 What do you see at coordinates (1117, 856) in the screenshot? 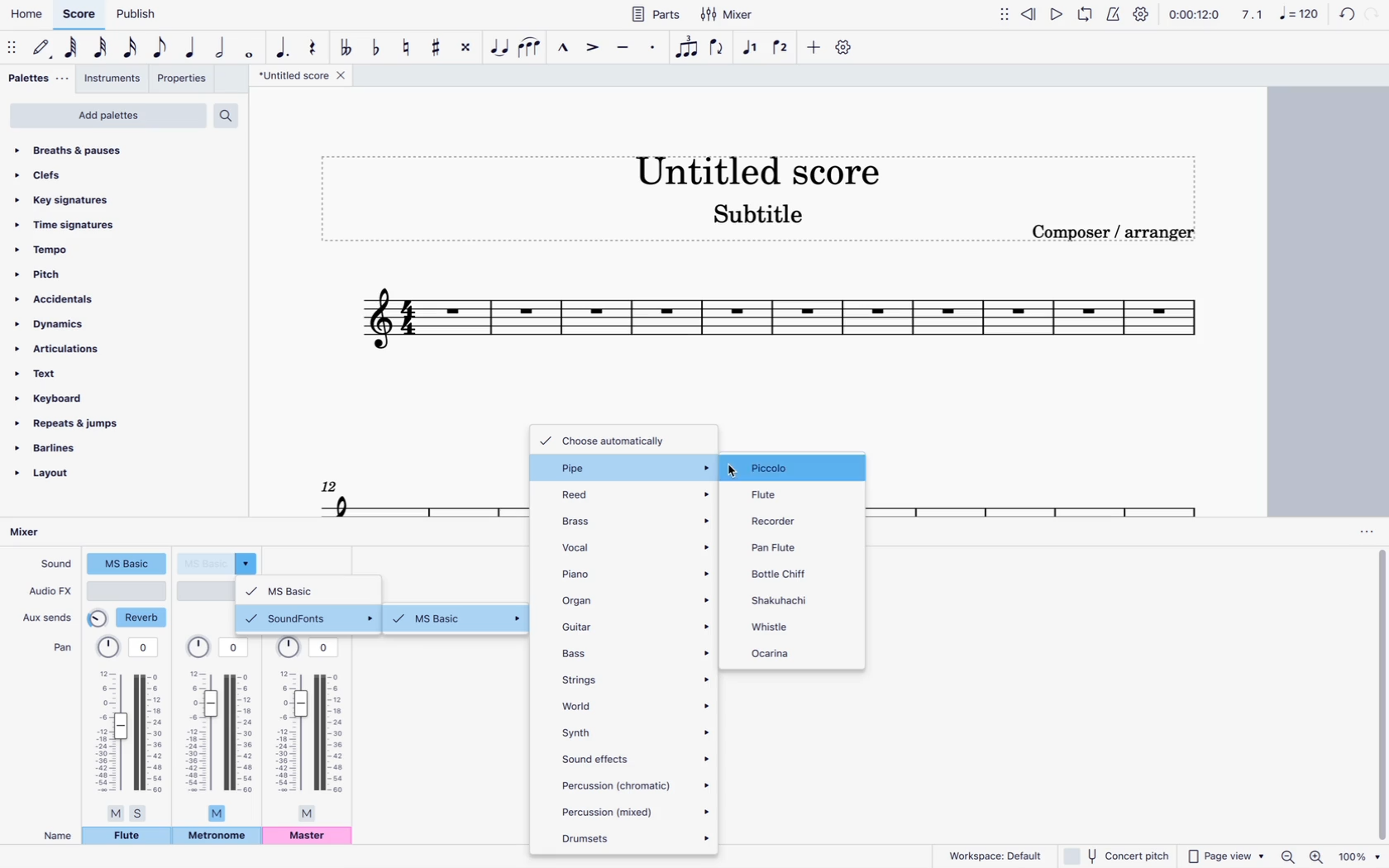
I see `concert pitch` at bounding box center [1117, 856].